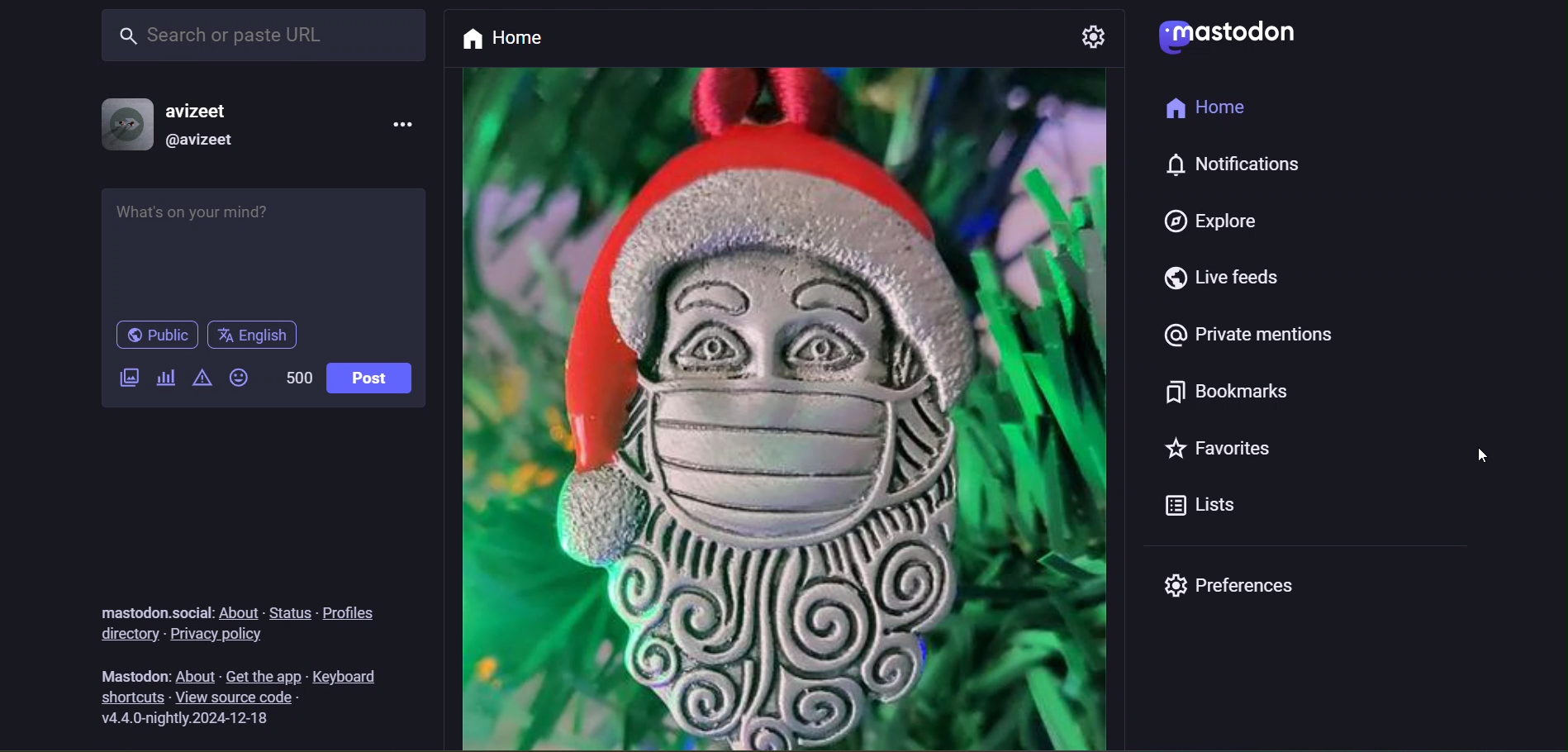  Describe the element at coordinates (789, 407) in the screenshot. I see `post picture` at that location.